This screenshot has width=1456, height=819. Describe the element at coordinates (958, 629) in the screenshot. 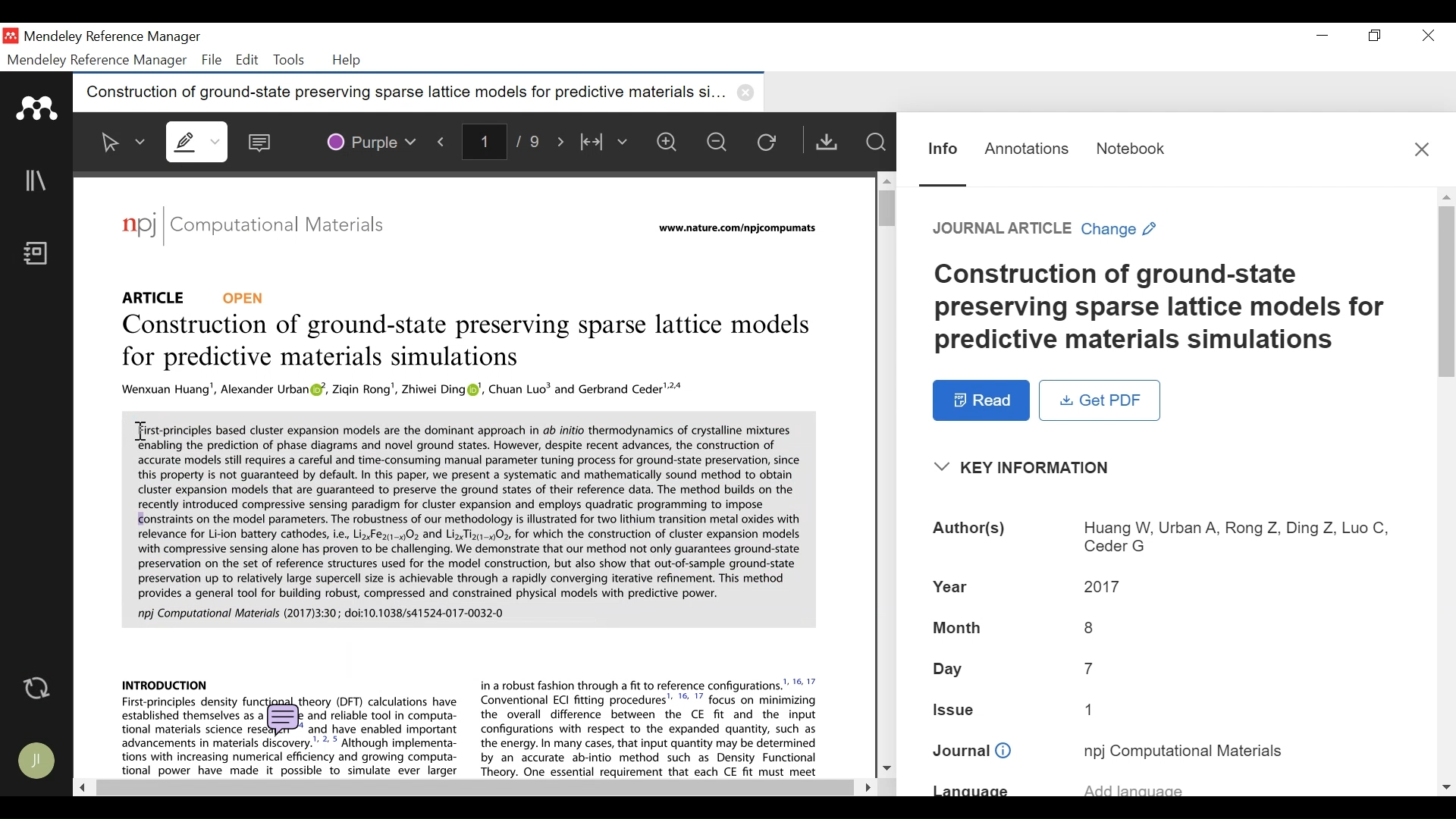

I see `Month` at that location.